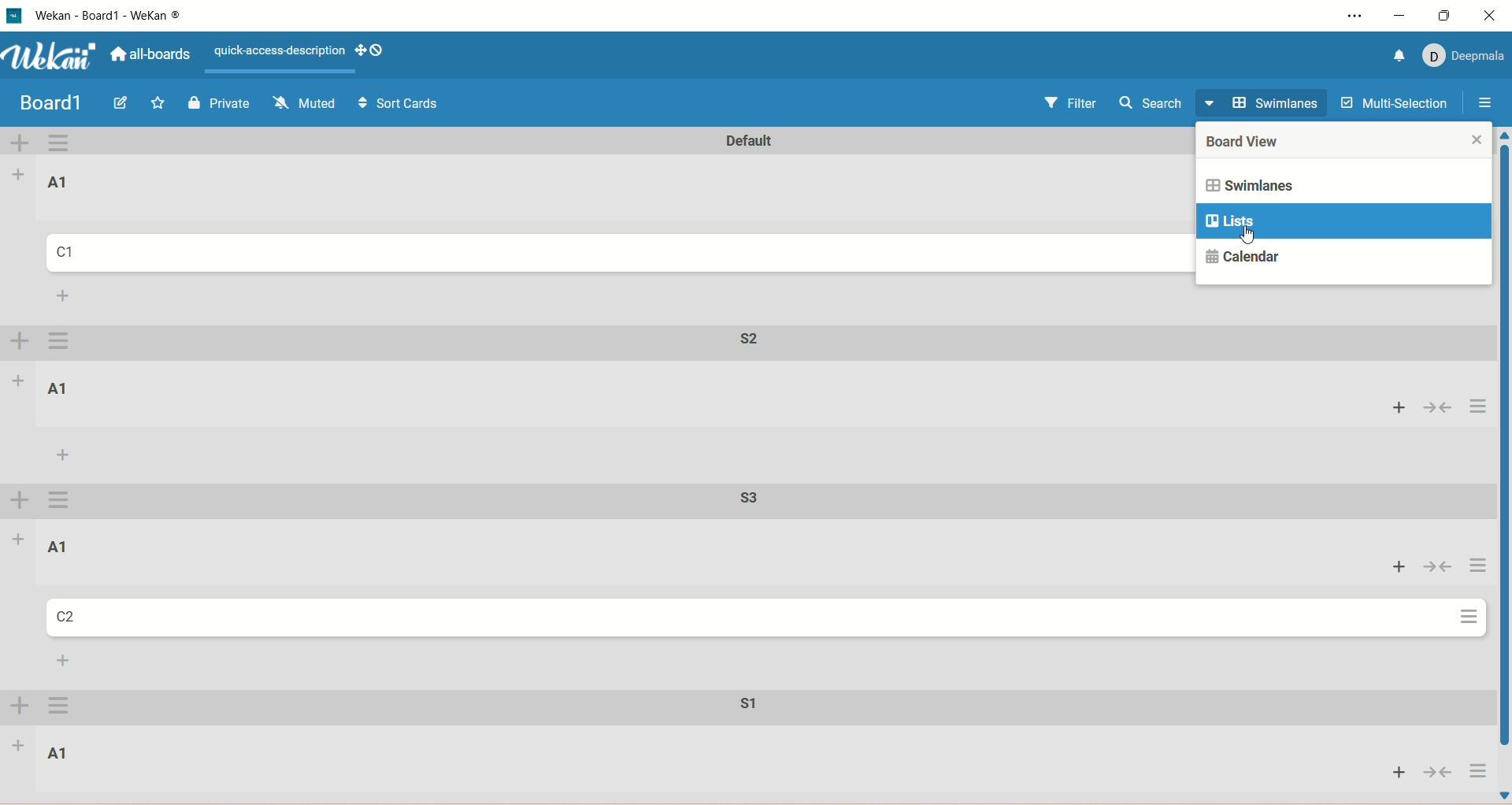 The image size is (1512, 805). What do you see at coordinates (67, 617) in the screenshot?
I see `card` at bounding box center [67, 617].